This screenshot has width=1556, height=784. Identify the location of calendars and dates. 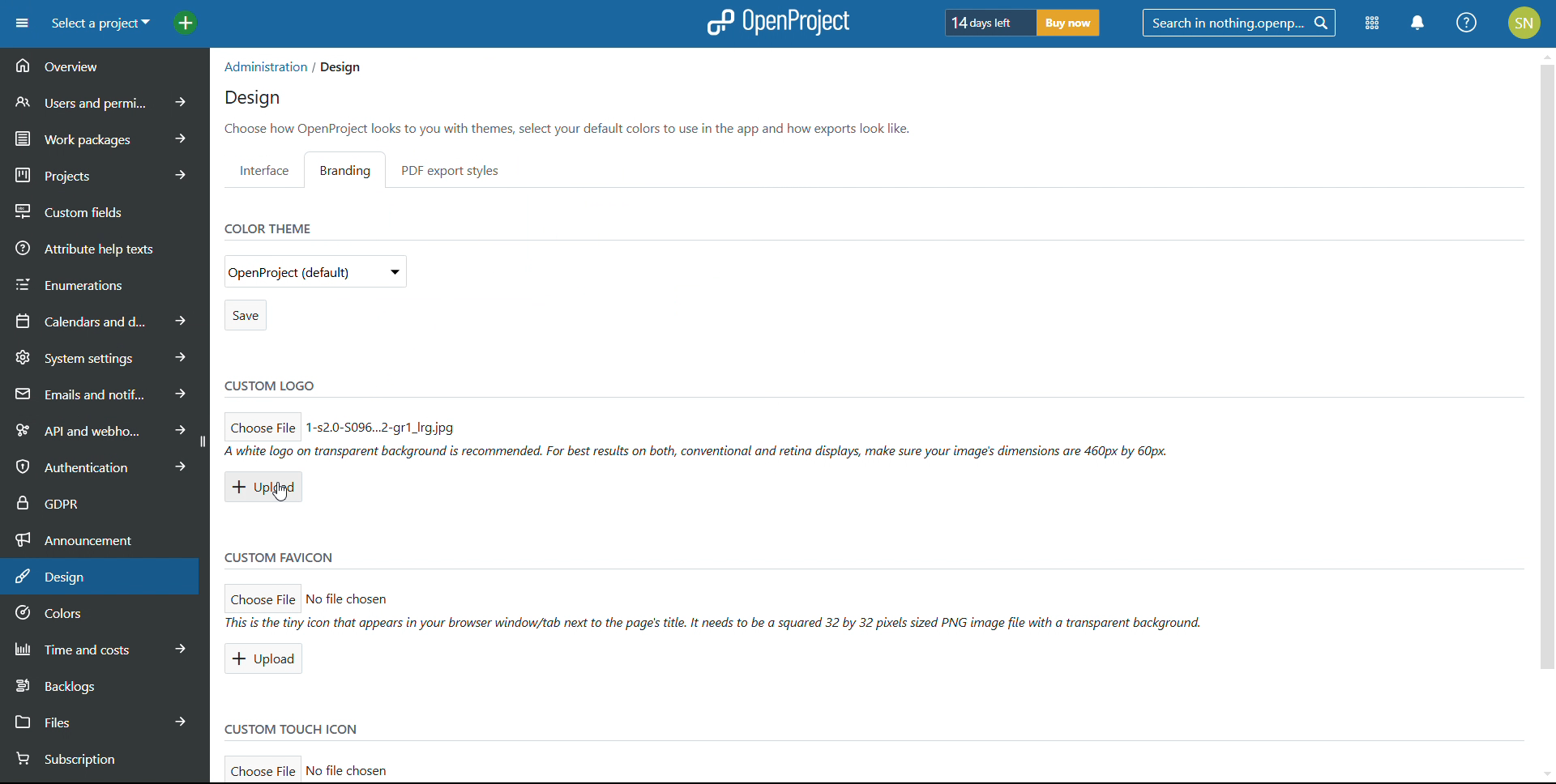
(102, 320).